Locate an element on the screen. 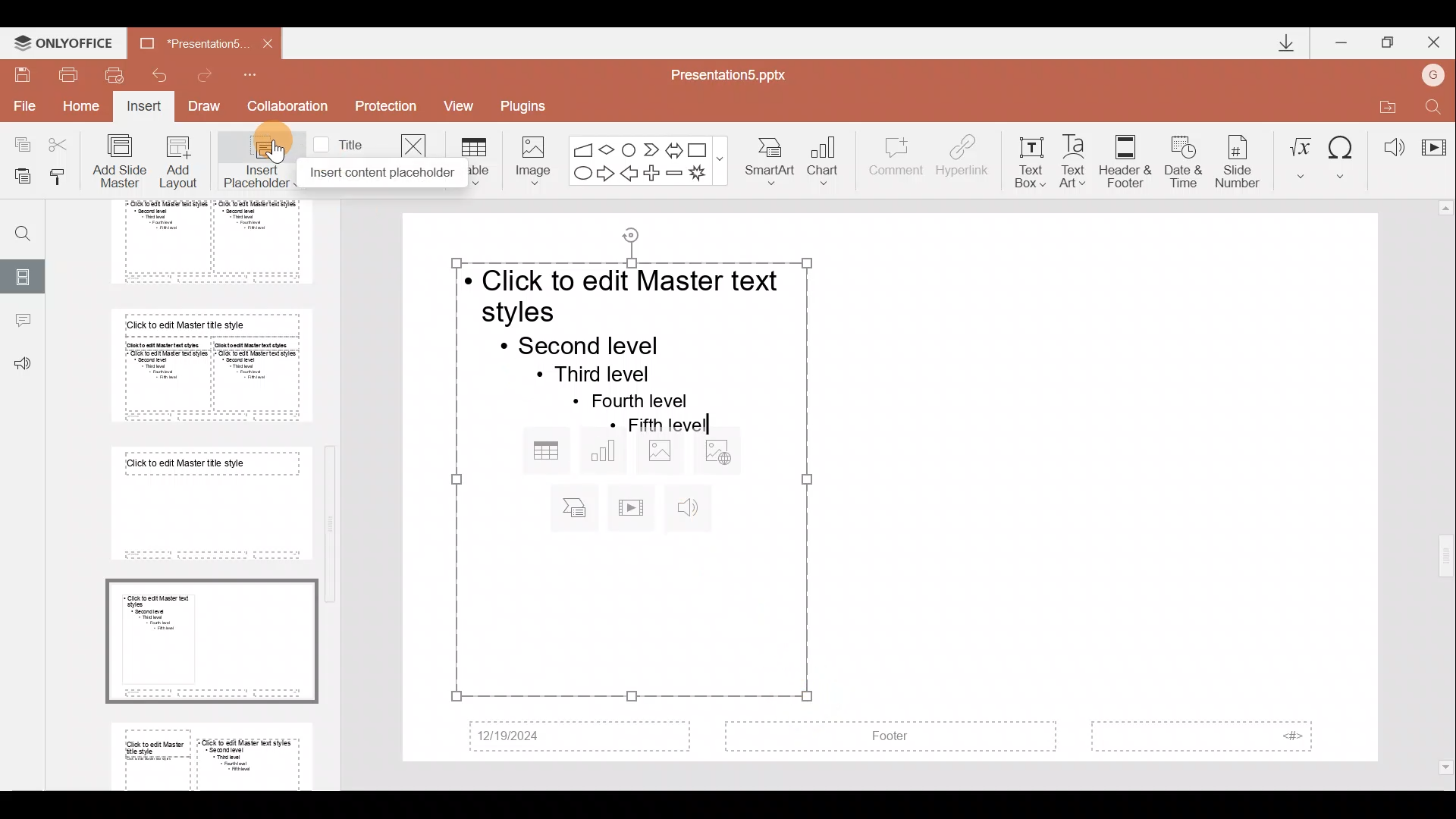 Image resolution: width=1456 pixels, height=819 pixels. Cut is located at coordinates (62, 144).